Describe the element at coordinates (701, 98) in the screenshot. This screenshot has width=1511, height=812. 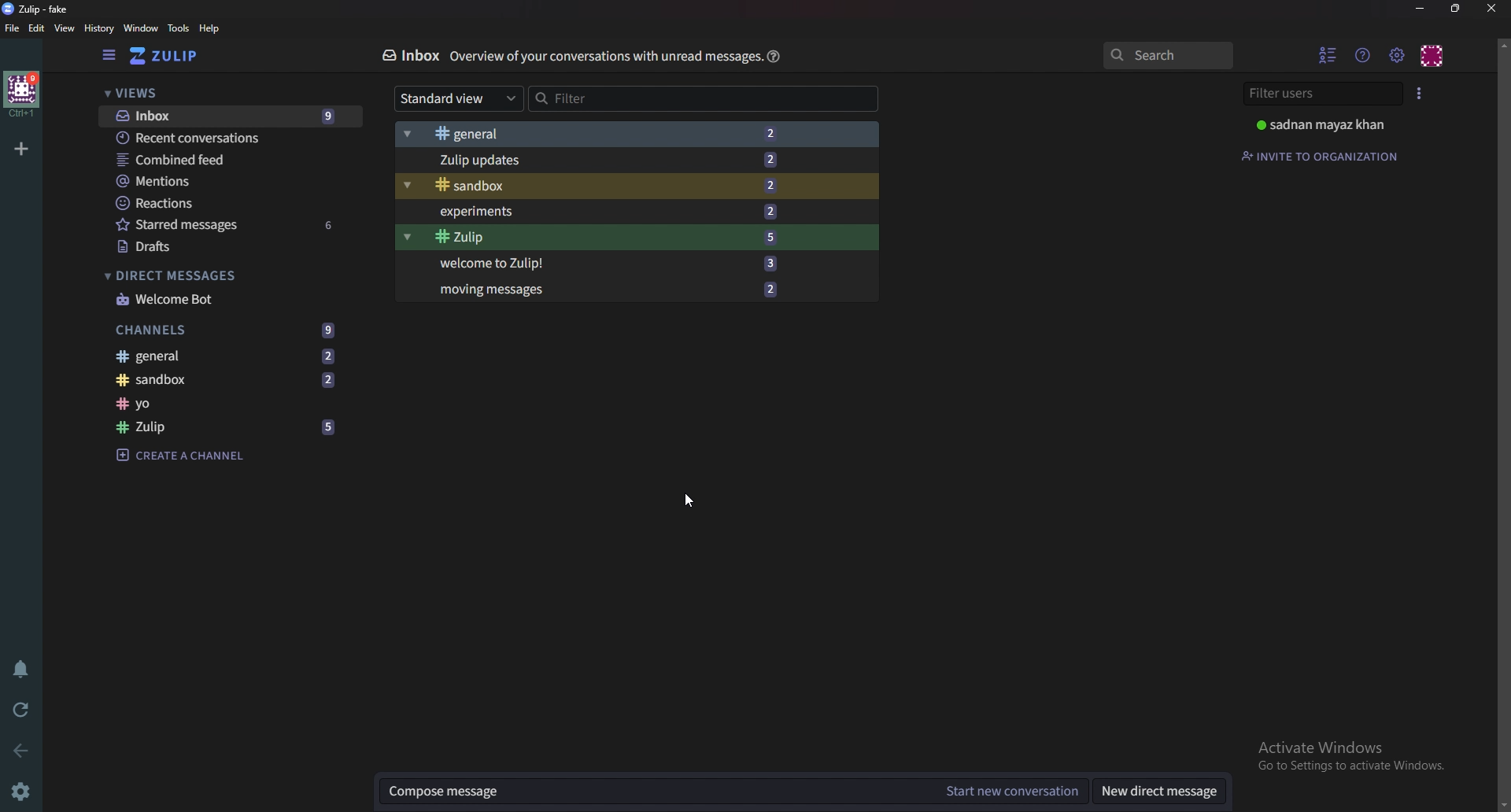
I see `Filter` at that location.